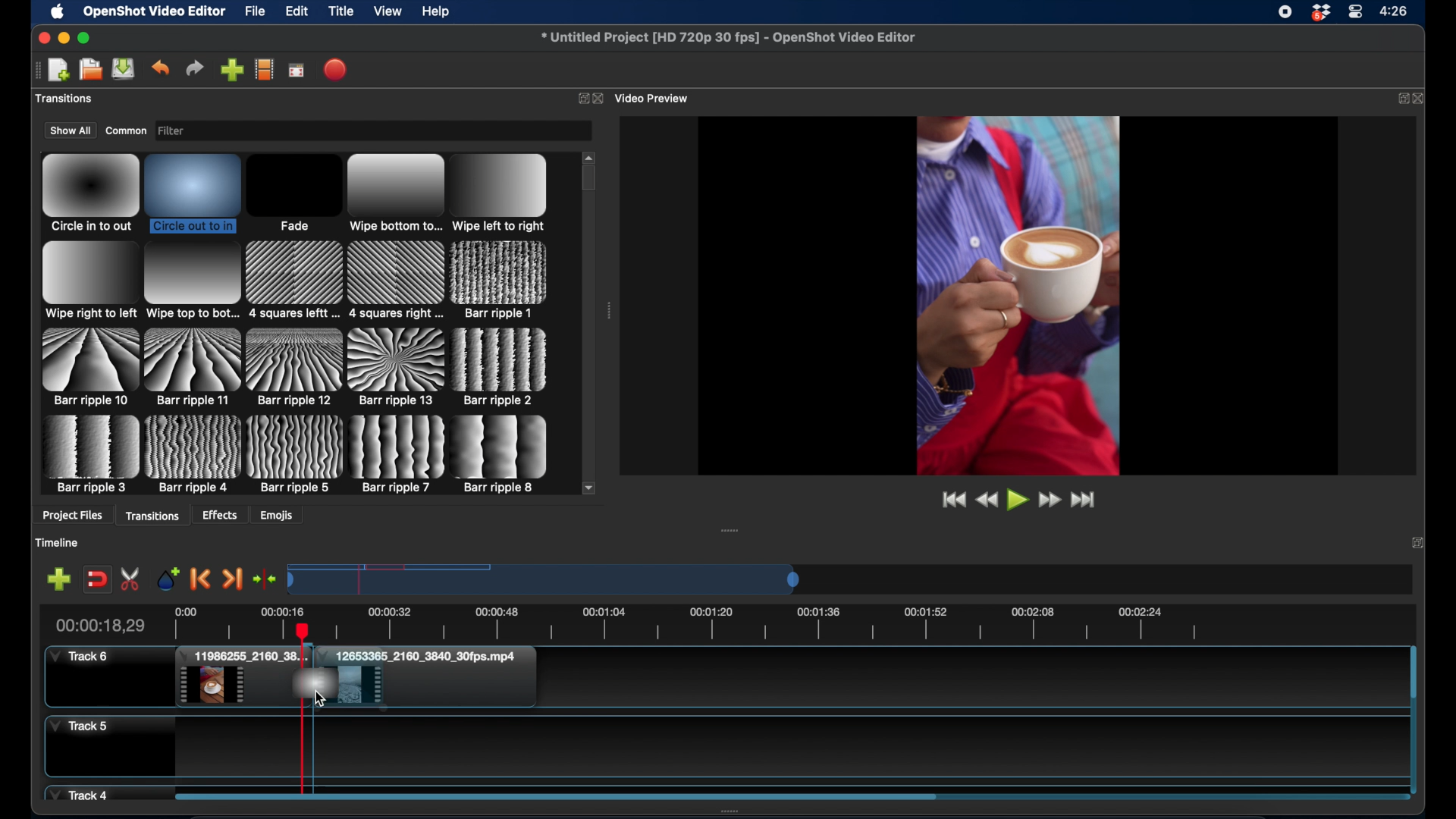  I want to click on center the timeline playhead, so click(265, 580).